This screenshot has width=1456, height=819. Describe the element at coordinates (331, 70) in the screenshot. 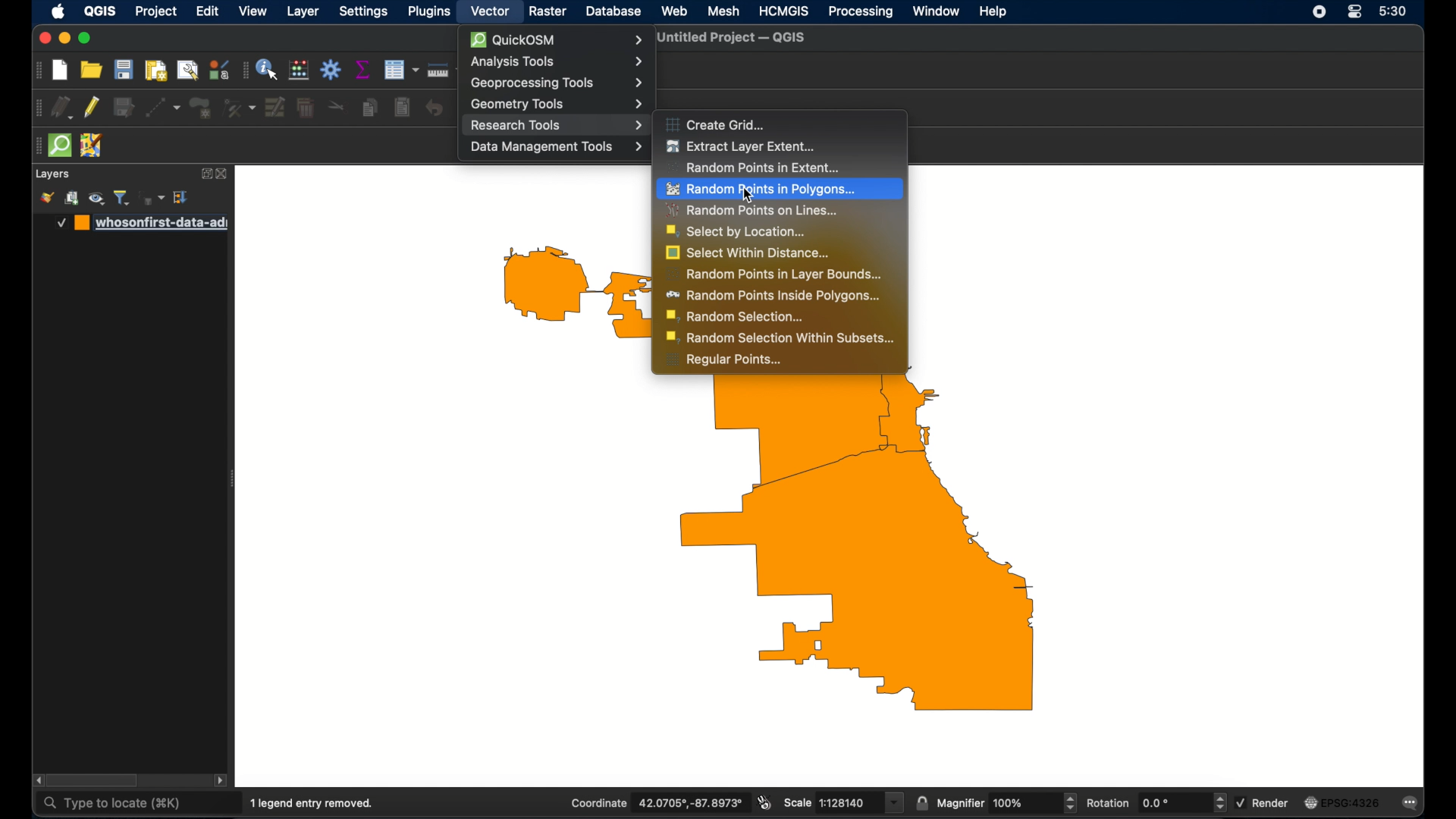

I see `toolbox` at that location.